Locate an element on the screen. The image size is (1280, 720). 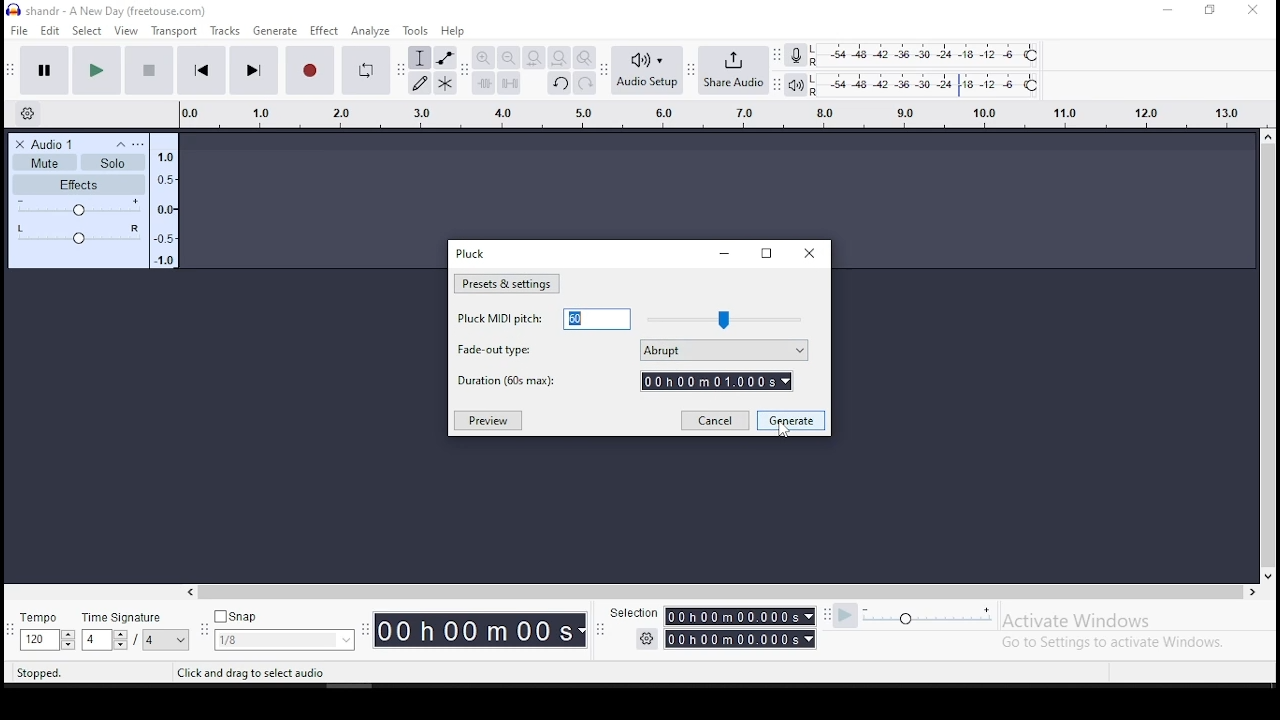
silence audio signal is located at coordinates (509, 84).